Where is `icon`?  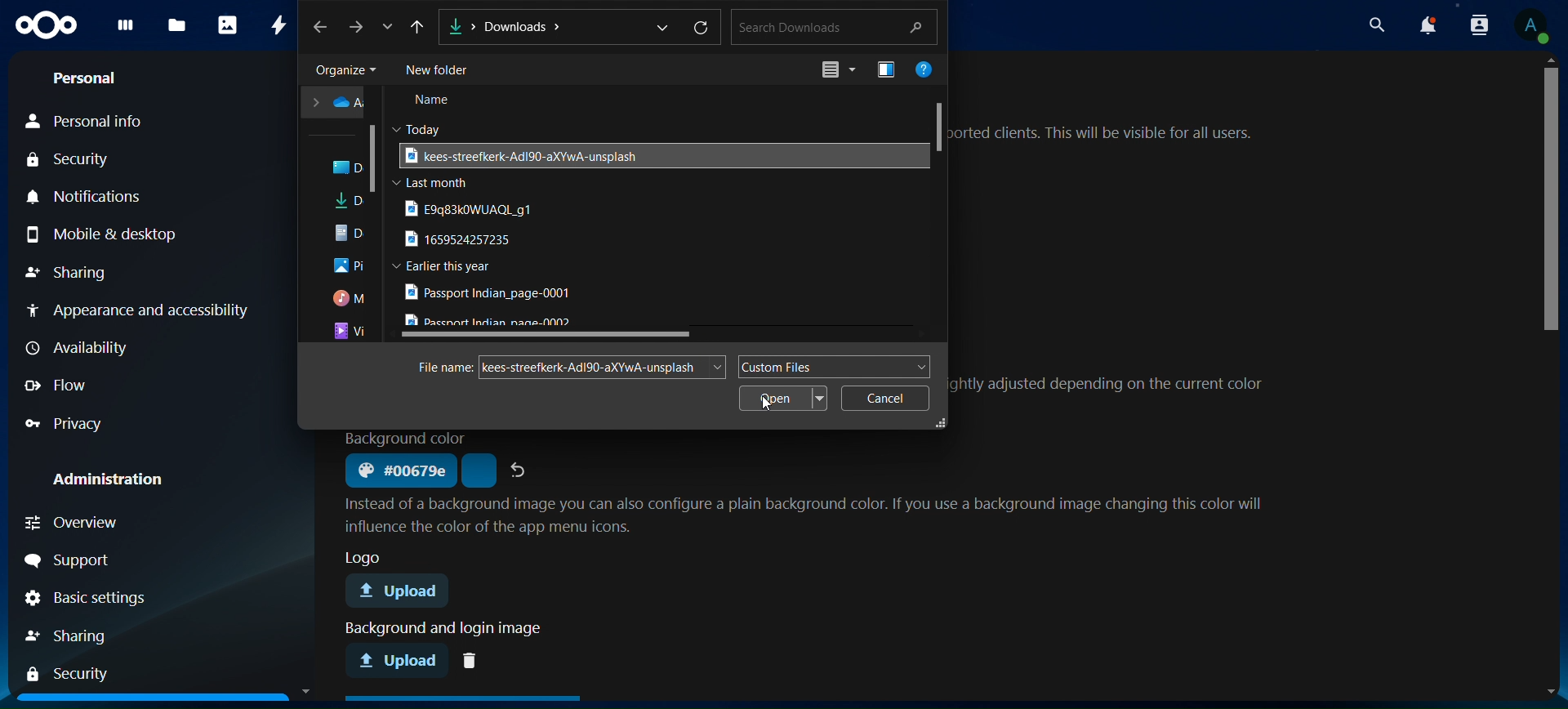 icon is located at coordinates (834, 70).